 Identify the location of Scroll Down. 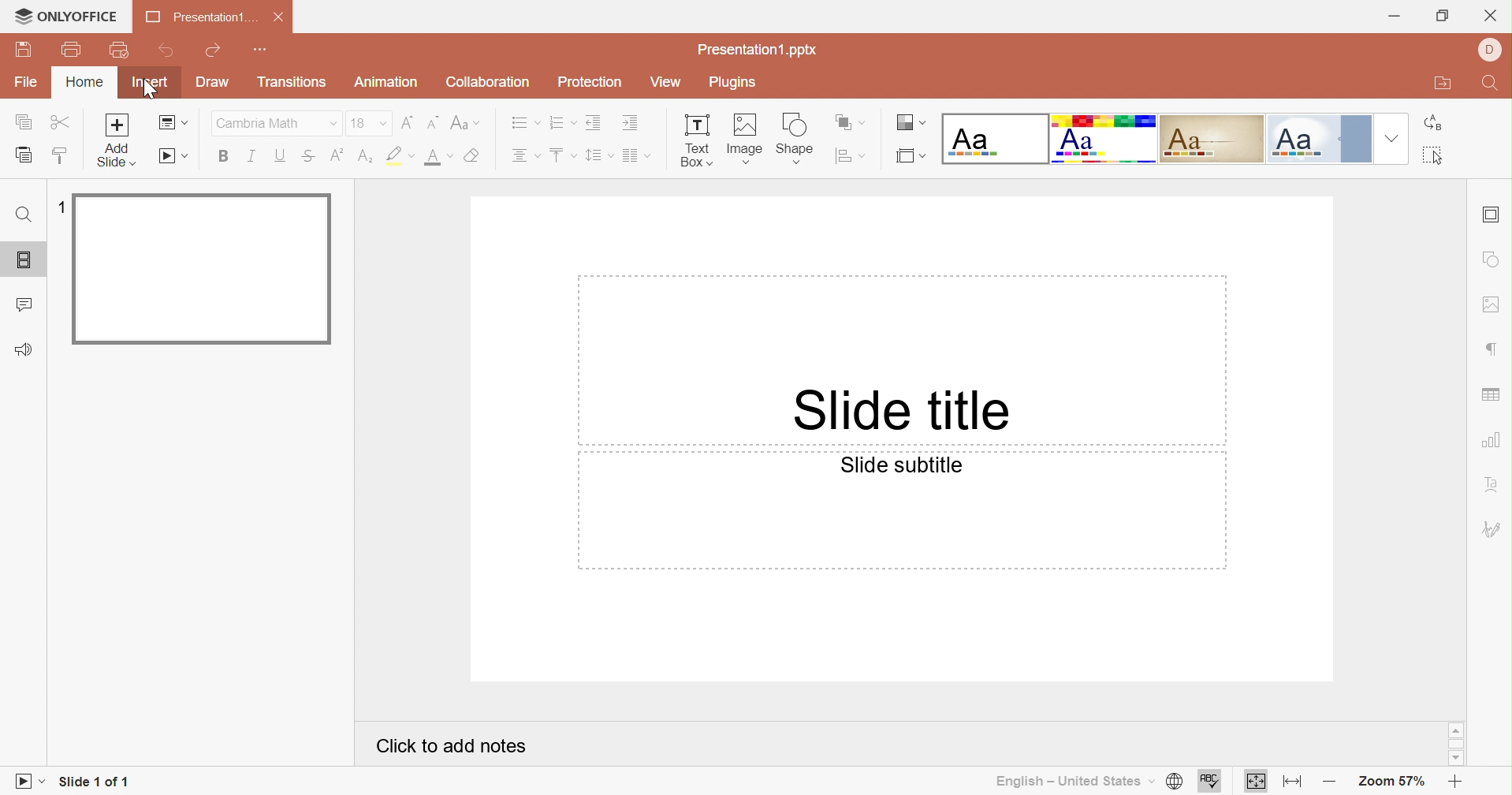
(1456, 759).